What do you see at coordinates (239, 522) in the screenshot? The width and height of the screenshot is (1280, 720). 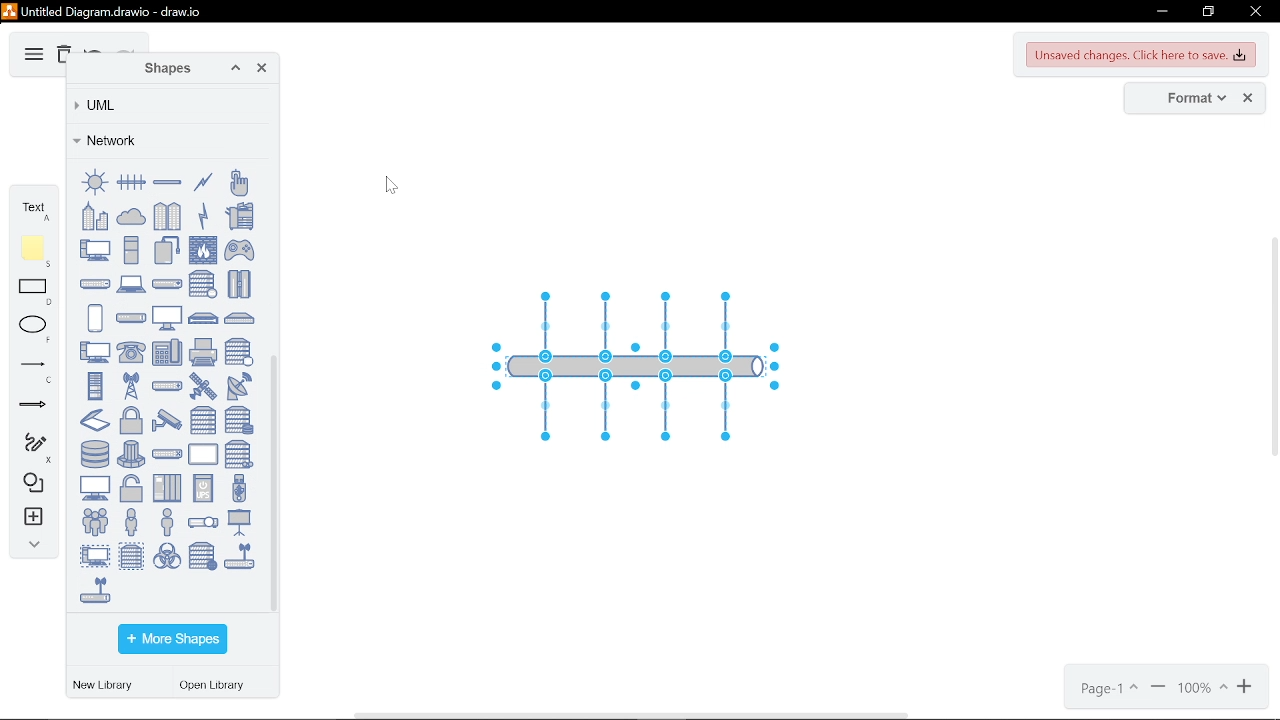 I see `video projector screen` at bounding box center [239, 522].